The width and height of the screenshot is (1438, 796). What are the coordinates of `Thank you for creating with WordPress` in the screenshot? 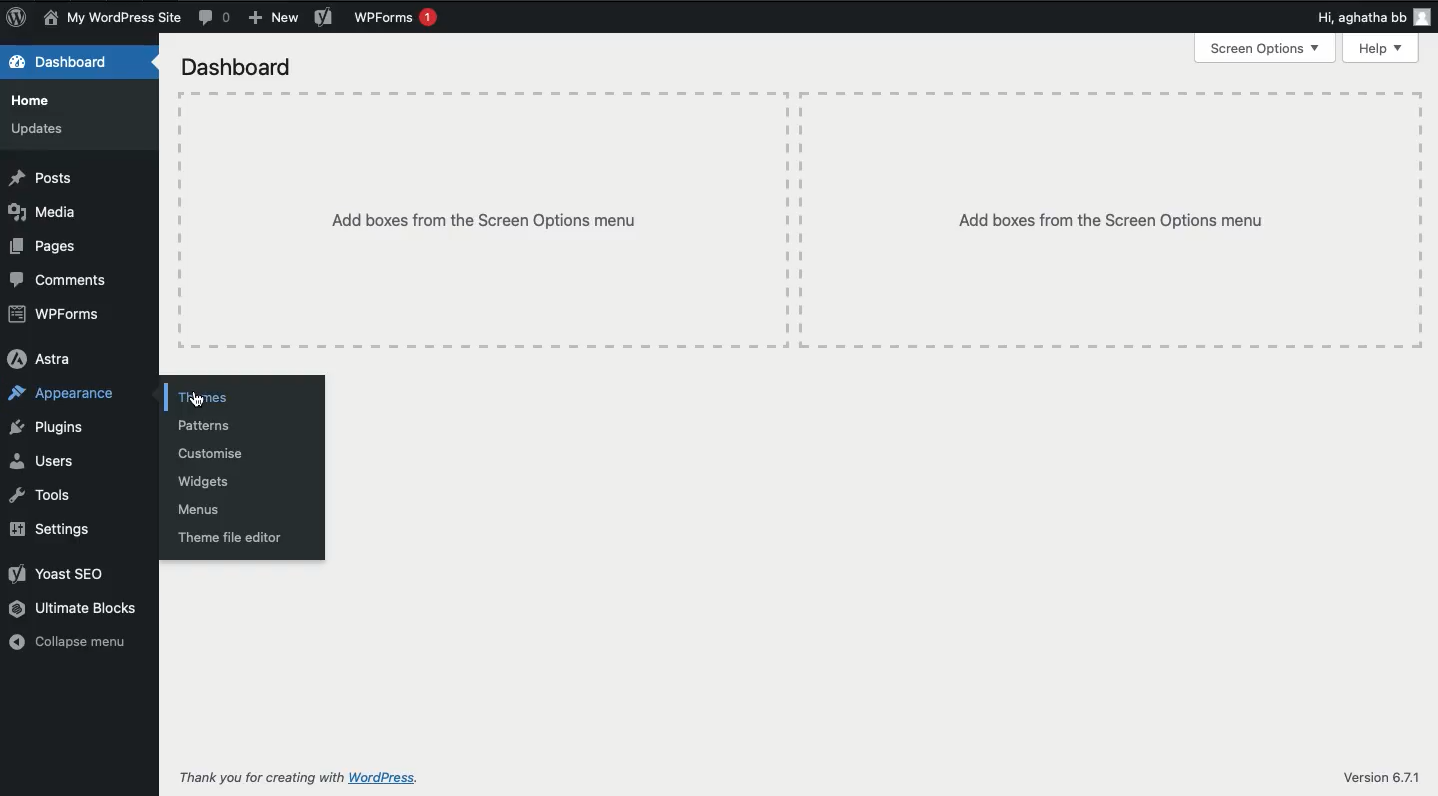 It's located at (301, 777).